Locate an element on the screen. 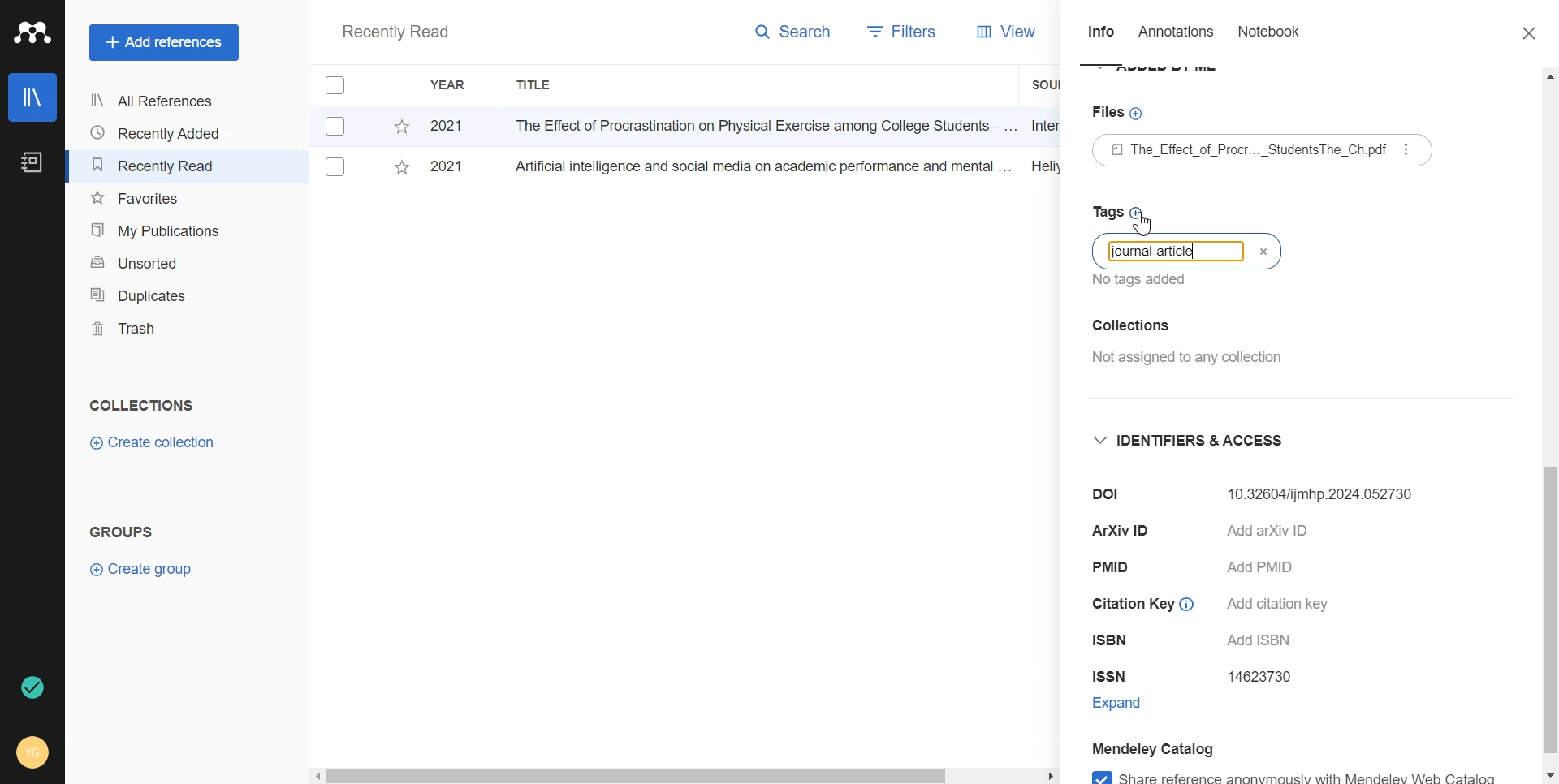 This screenshot has height=784, width=1559. Journal-article is located at coordinates (1153, 252).